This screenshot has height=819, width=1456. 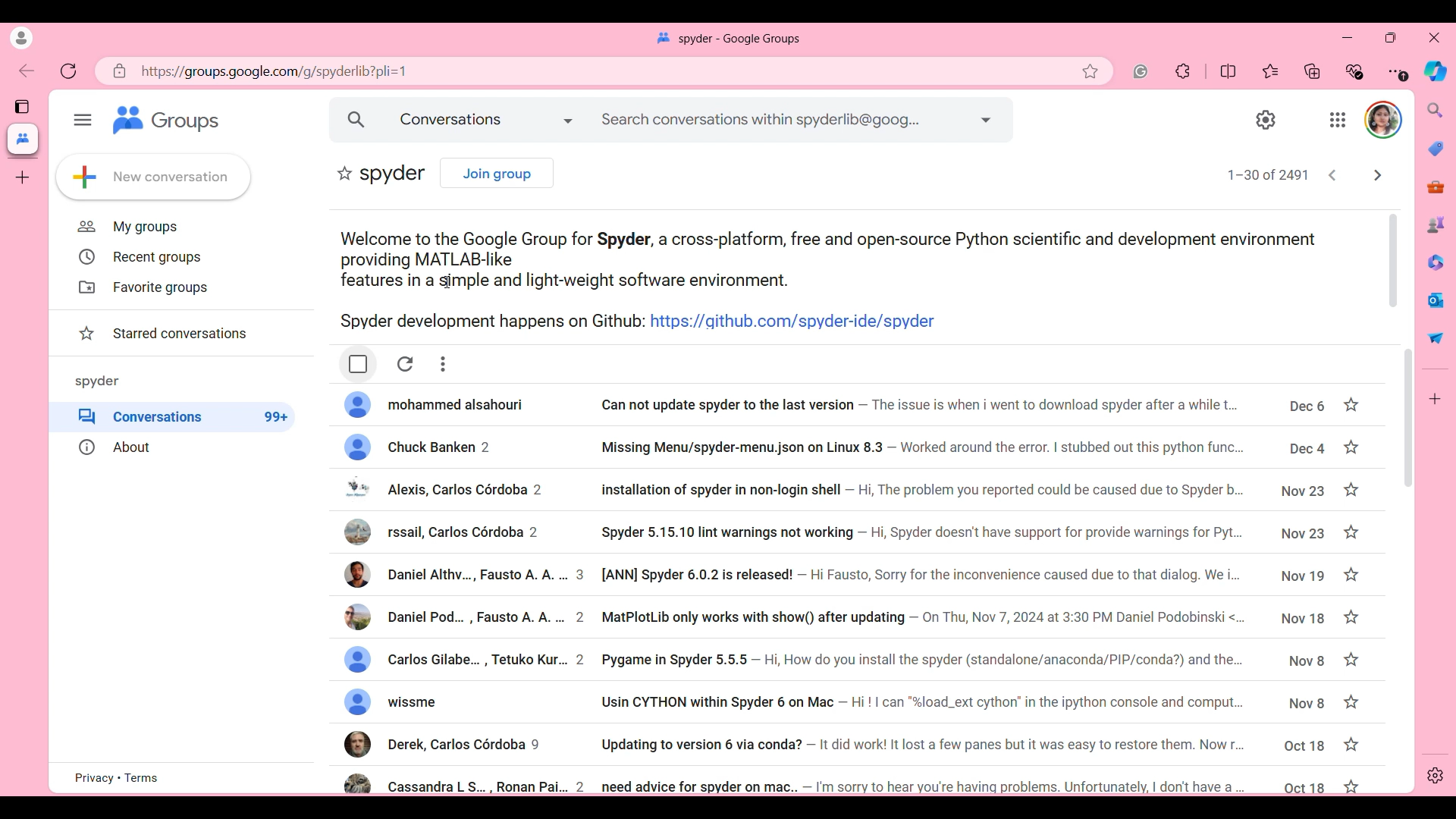 I want to click on Search box, so click(x=785, y=120).